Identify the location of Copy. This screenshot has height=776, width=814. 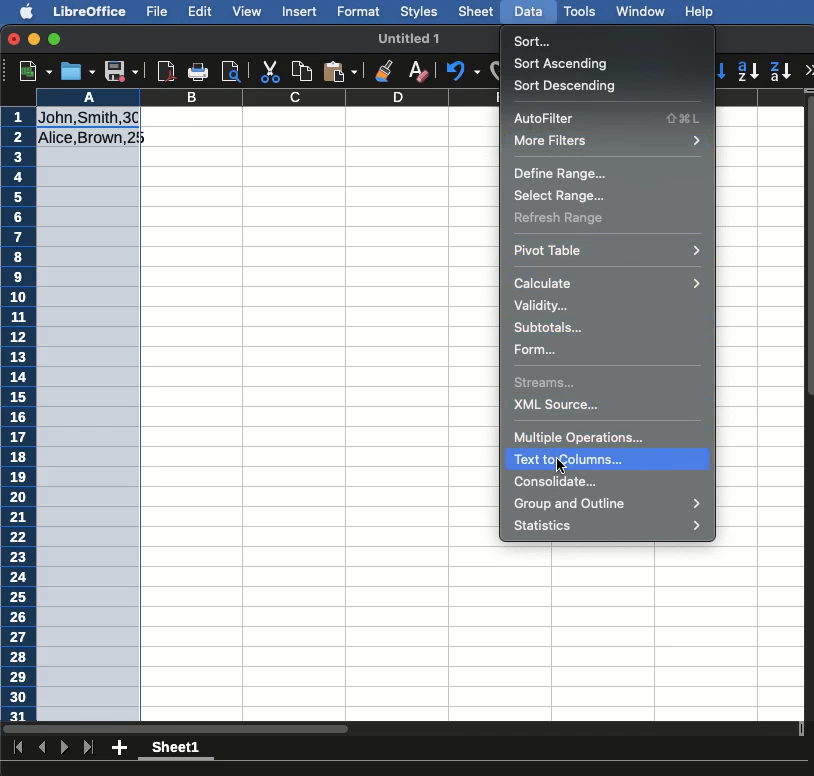
(305, 69).